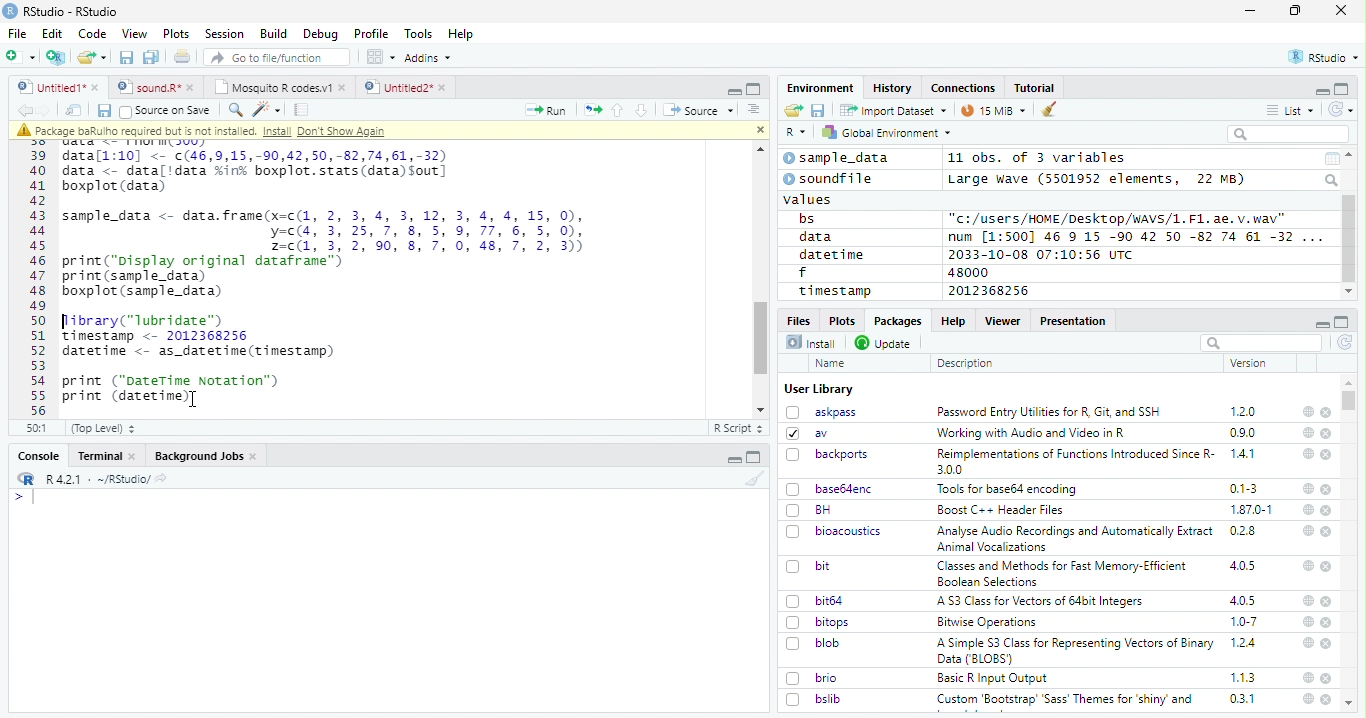 This screenshot has height=718, width=1366. I want to click on close, so click(1327, 566).